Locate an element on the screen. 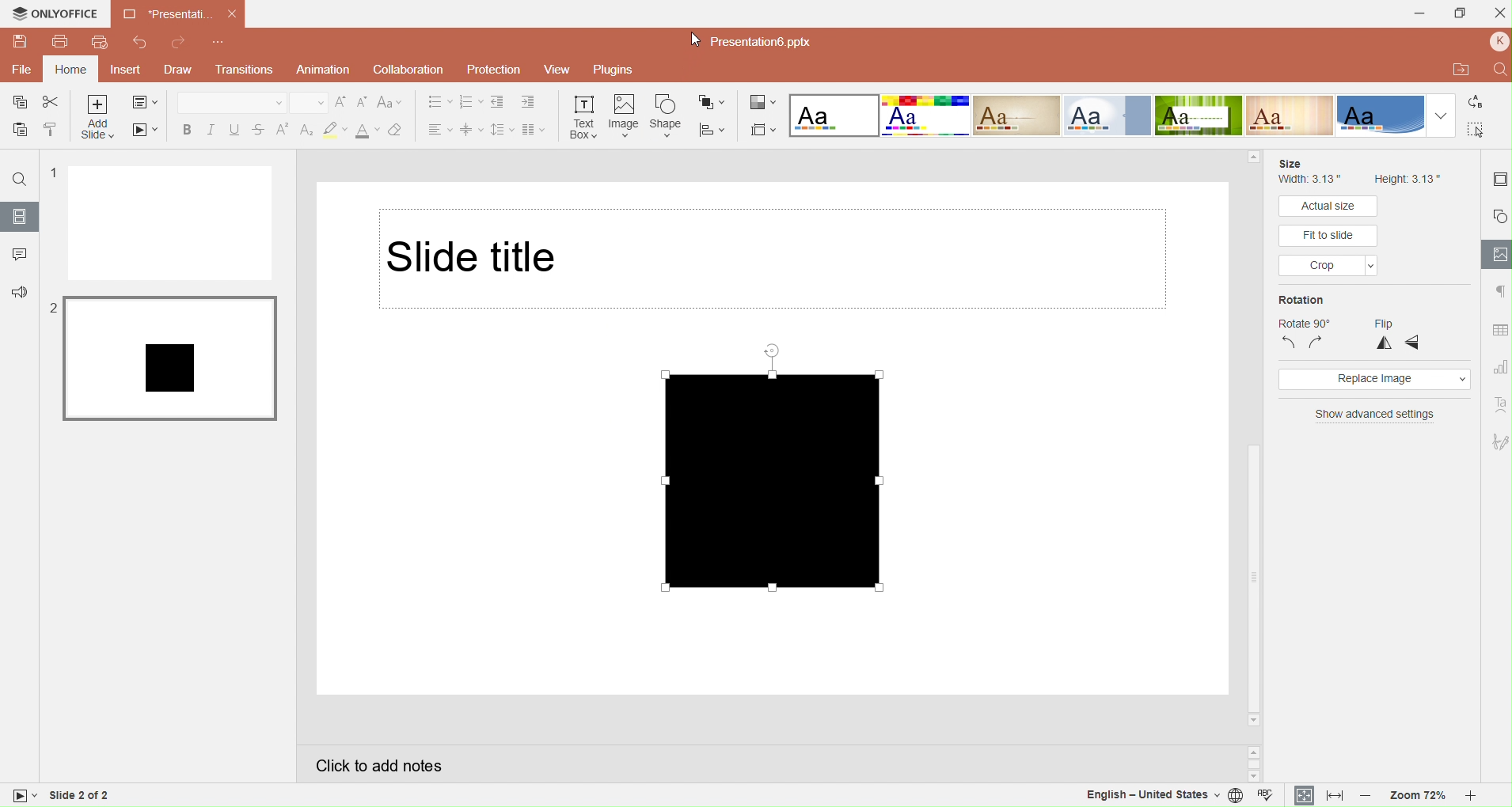  Undo is located at coordinates (139, 41).